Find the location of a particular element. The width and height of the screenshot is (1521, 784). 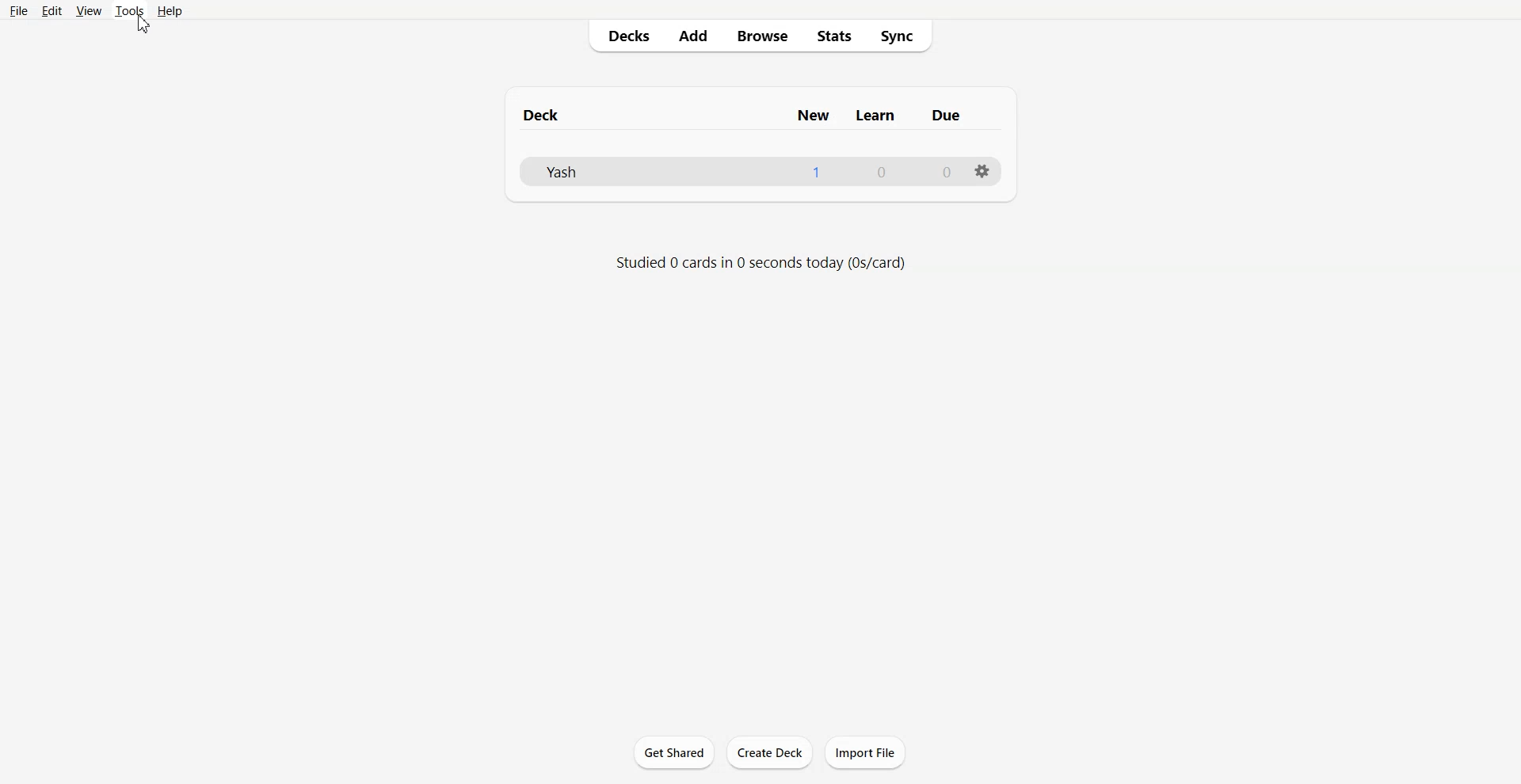

Edit is located at coordinates (51, 11).